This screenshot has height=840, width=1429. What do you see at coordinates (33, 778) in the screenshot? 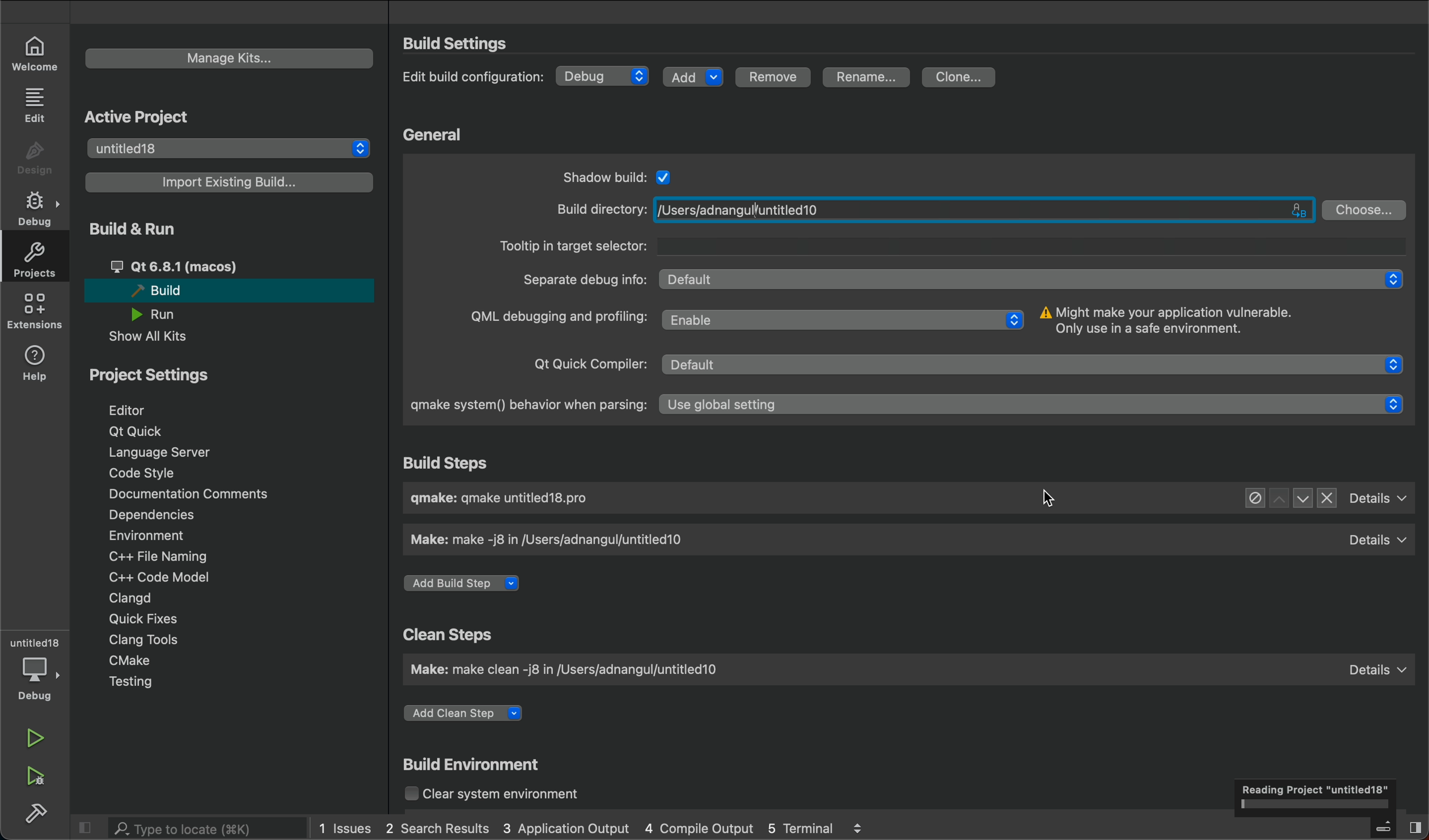
I see `run debug` at bounding box center [33, 778].